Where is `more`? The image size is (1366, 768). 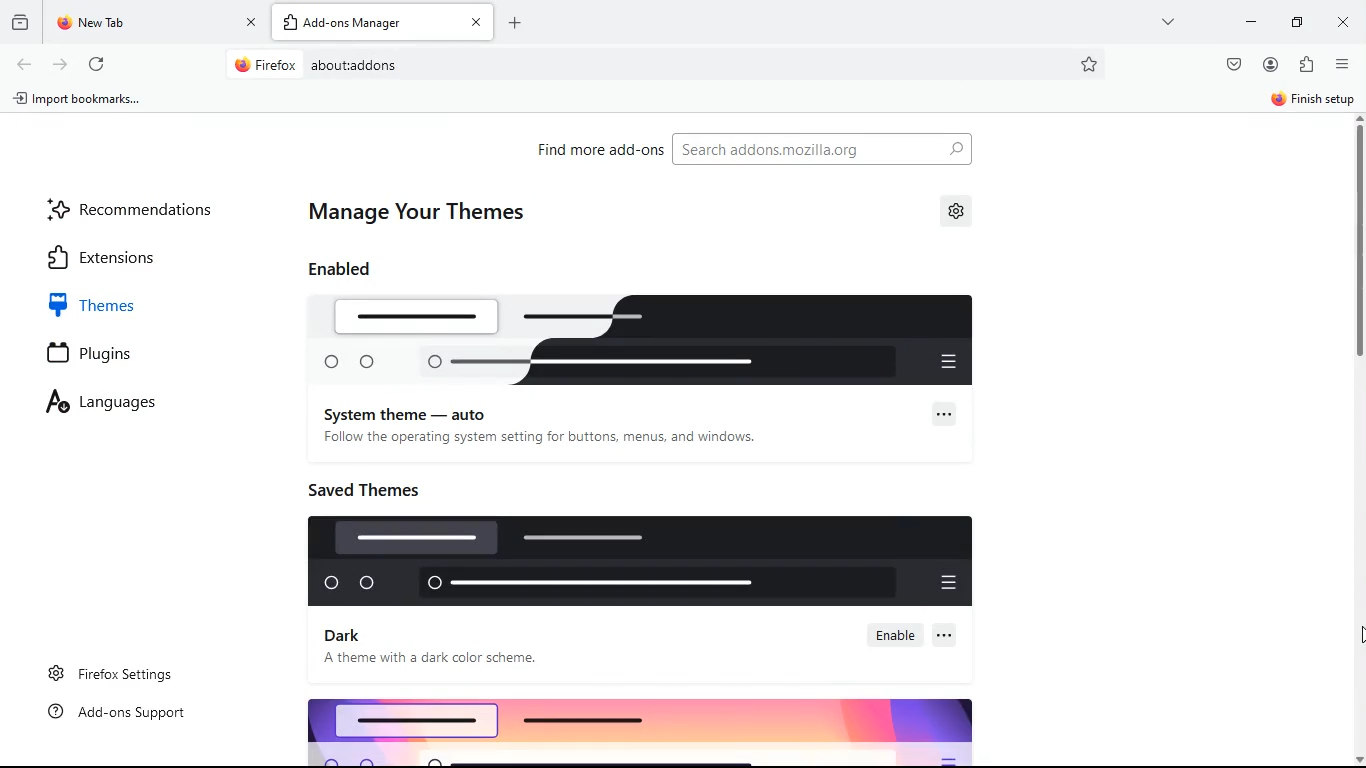
more is located at coordinates (949, 635).